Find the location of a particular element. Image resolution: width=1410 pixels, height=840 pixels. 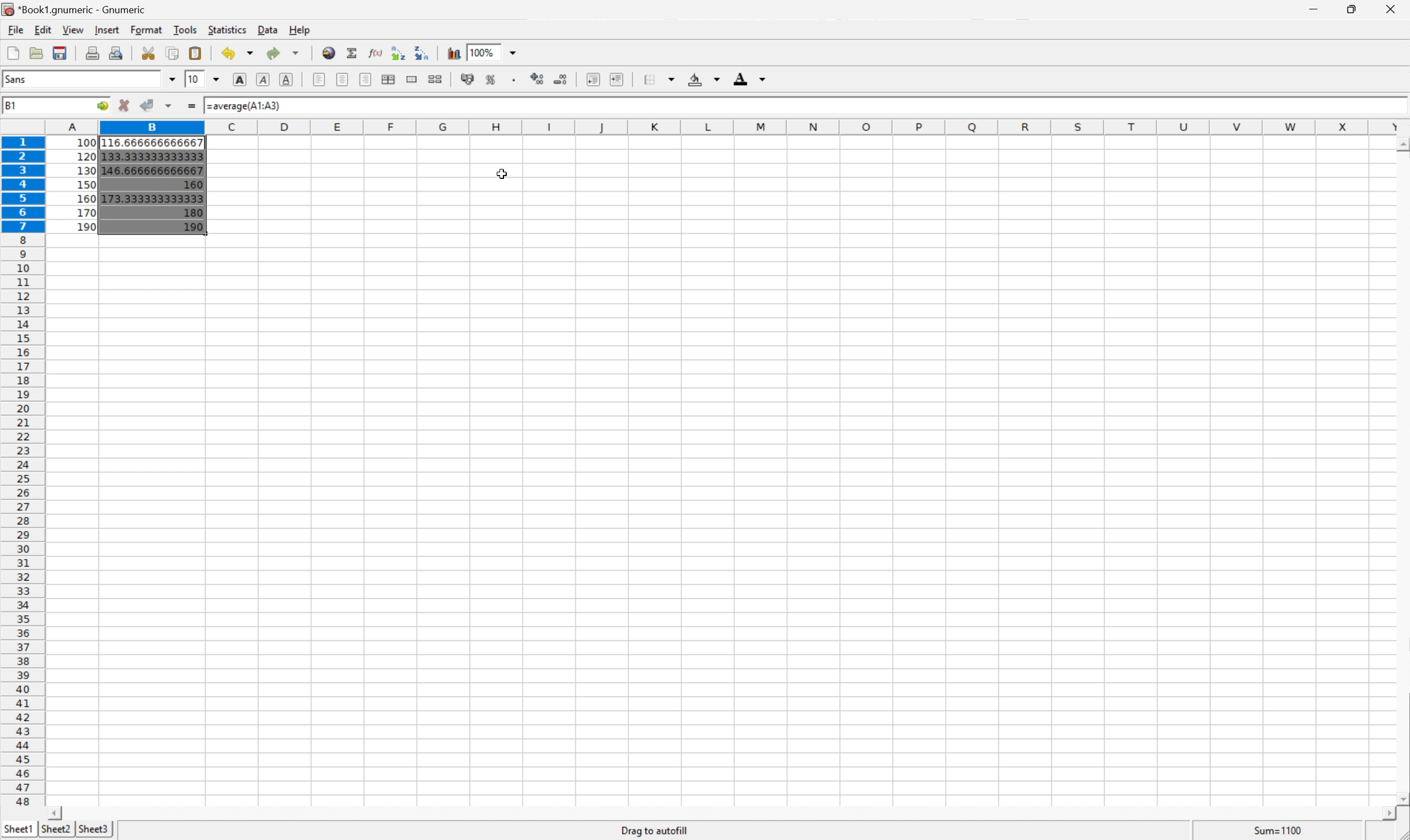

Cursor is located at coordinates (503, 174).